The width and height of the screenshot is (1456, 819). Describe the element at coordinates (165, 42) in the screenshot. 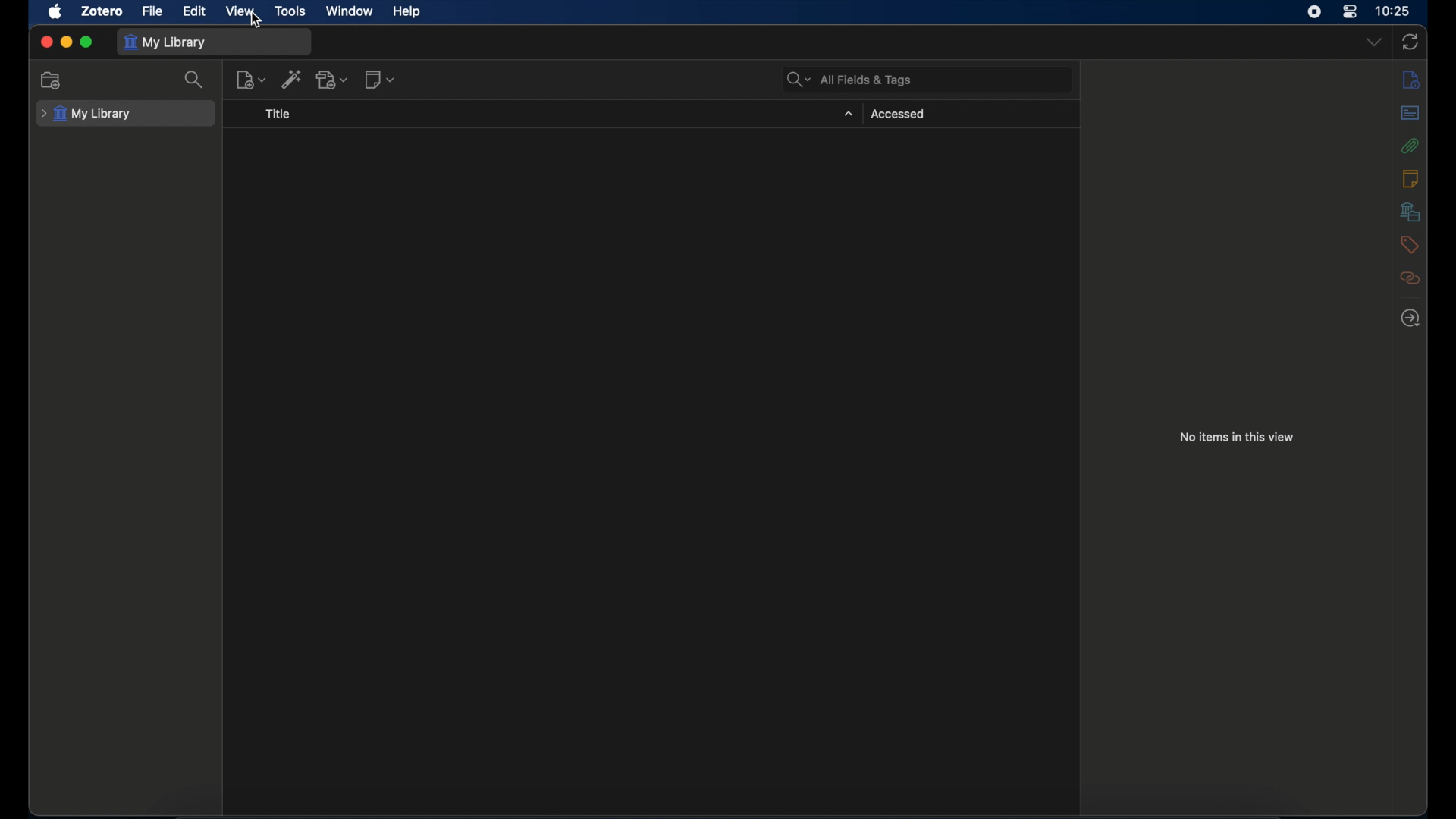

I see `my library` at that location.